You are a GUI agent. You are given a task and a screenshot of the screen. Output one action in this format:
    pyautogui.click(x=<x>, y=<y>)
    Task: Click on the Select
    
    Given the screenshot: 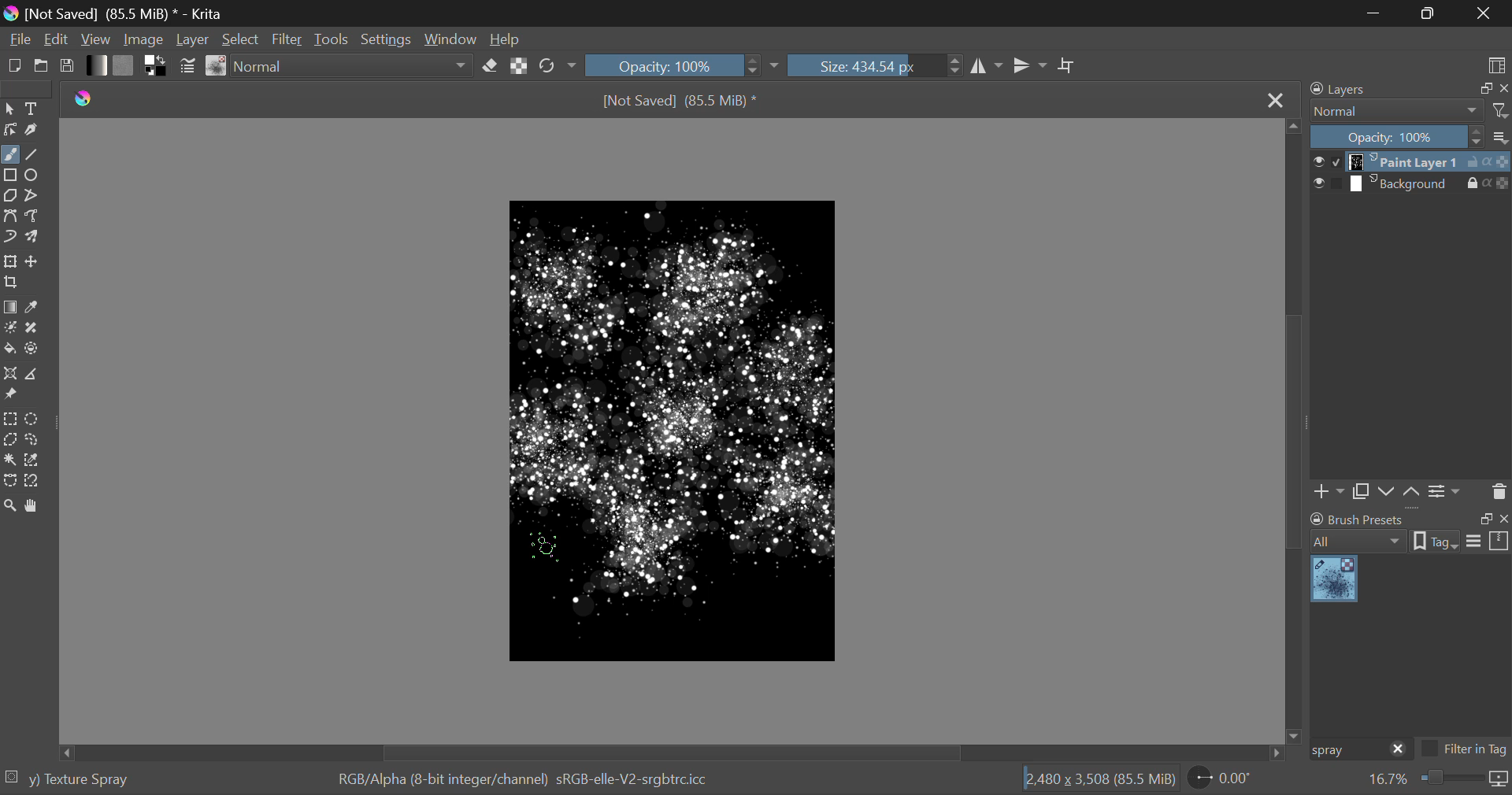 What is the action you would take?
    pyautogui.click(x=241, y=39)
    